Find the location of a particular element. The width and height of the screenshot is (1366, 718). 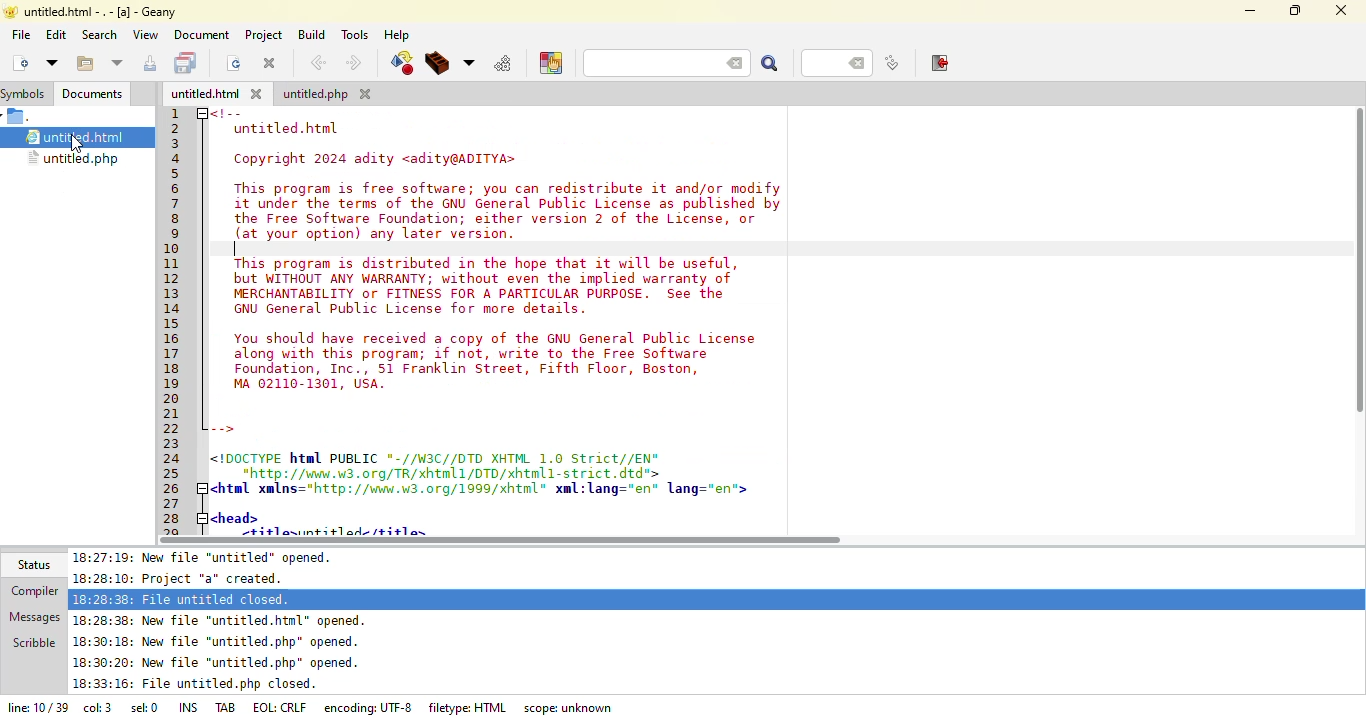

create new file is located at coordinates (20, 63).